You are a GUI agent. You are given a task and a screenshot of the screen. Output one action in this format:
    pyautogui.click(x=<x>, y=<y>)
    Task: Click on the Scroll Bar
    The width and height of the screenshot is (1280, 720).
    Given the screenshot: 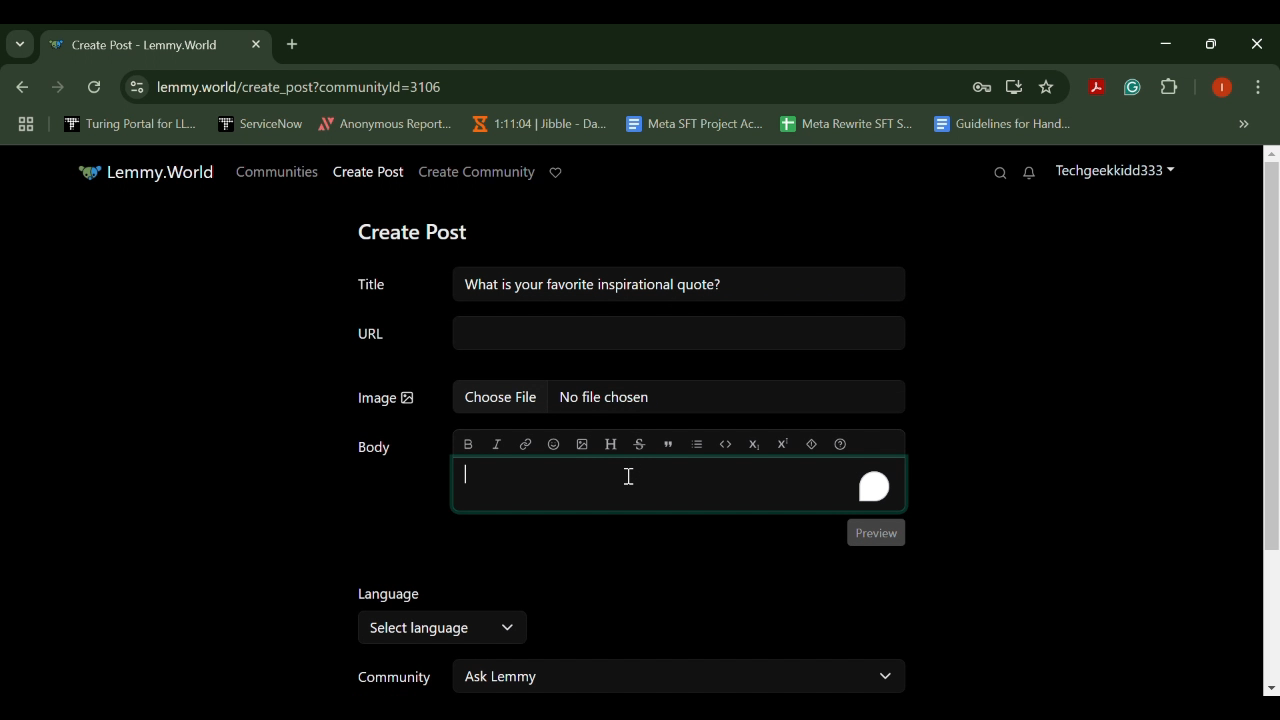 What is the action you would take?
    pyautogui.click(x=1272, y=419)
    